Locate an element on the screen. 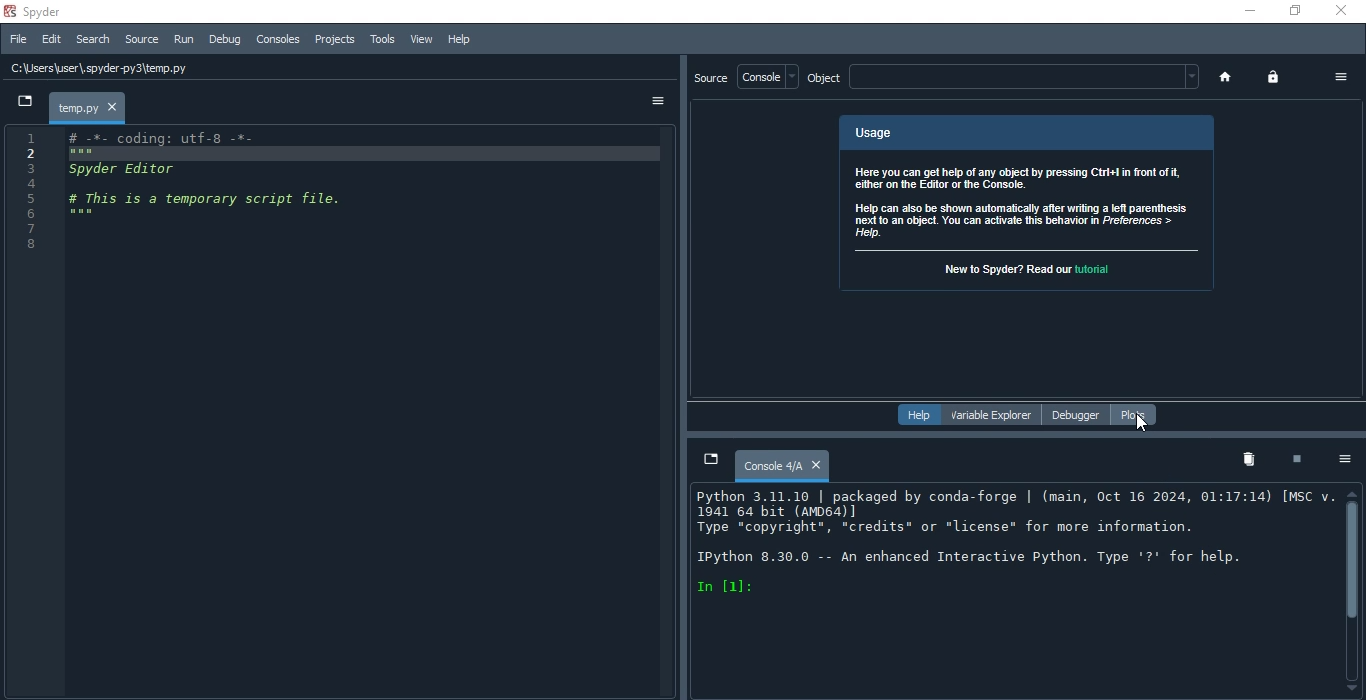  cursor is located at coordinates (1141, 426).